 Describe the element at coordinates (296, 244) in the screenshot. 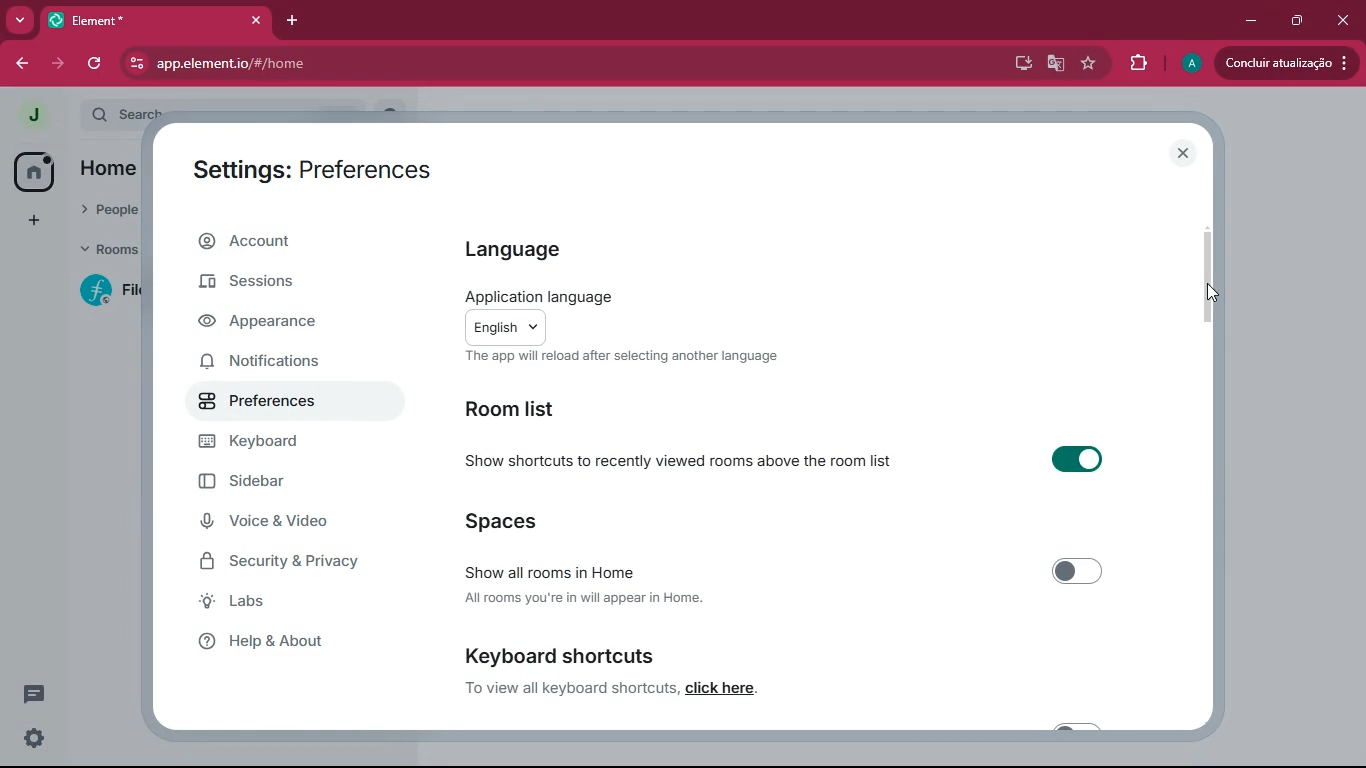

I see `account` at that location.